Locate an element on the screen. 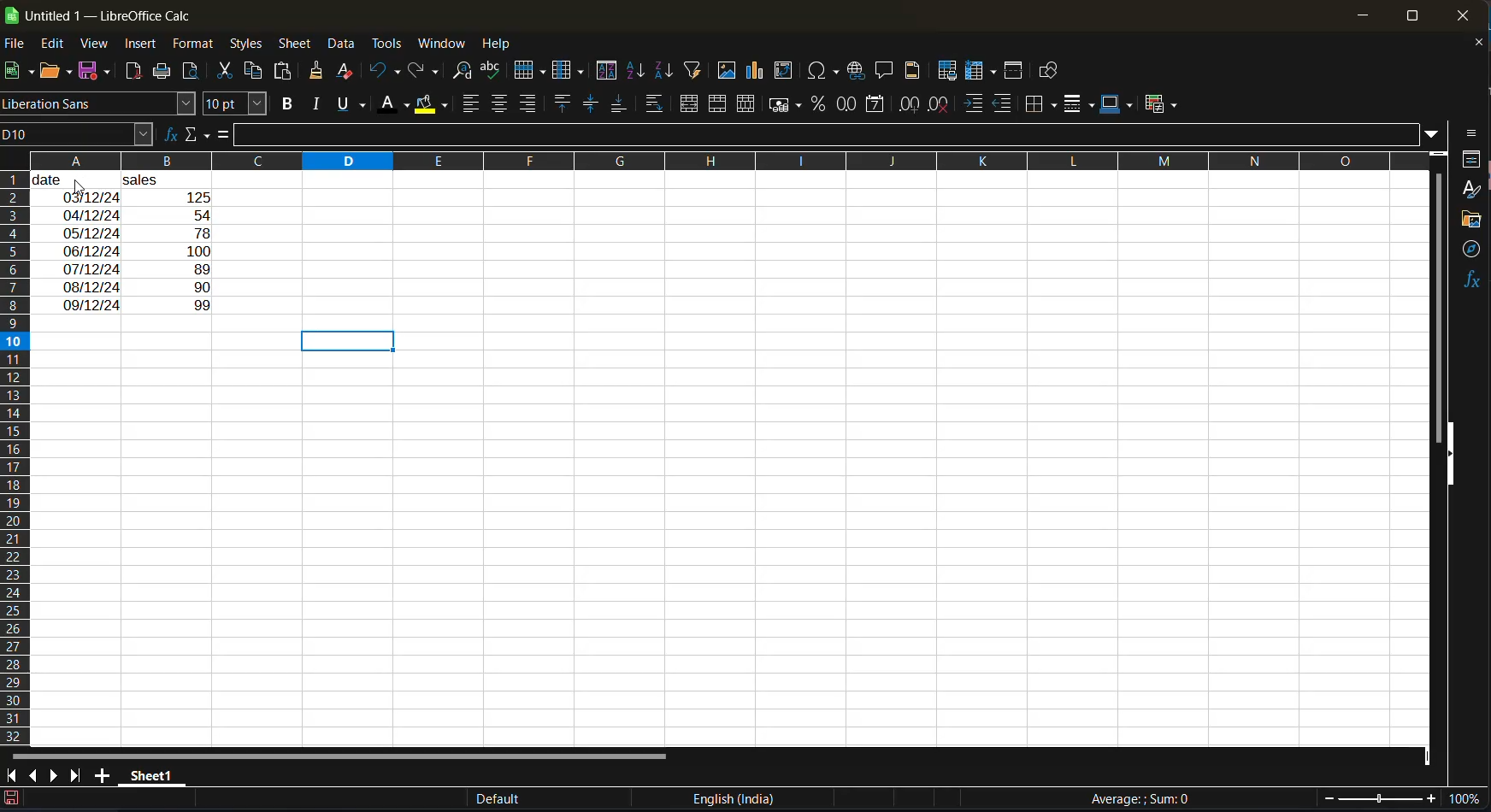  expand formula bar is located at coordinates (1434, 137).